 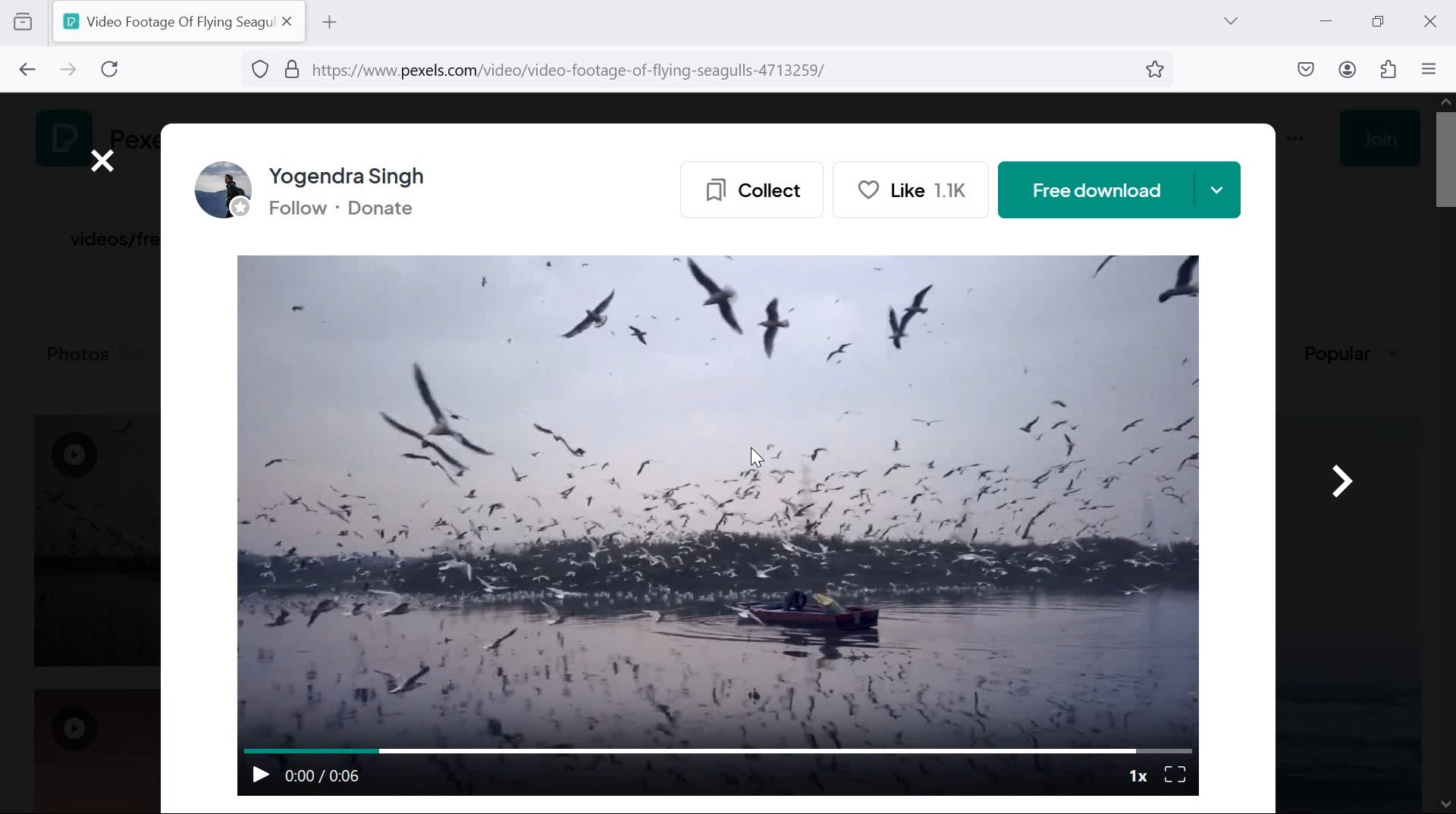 I want to click on BLOCKING TRACKERS, so click(x=261, y=71).